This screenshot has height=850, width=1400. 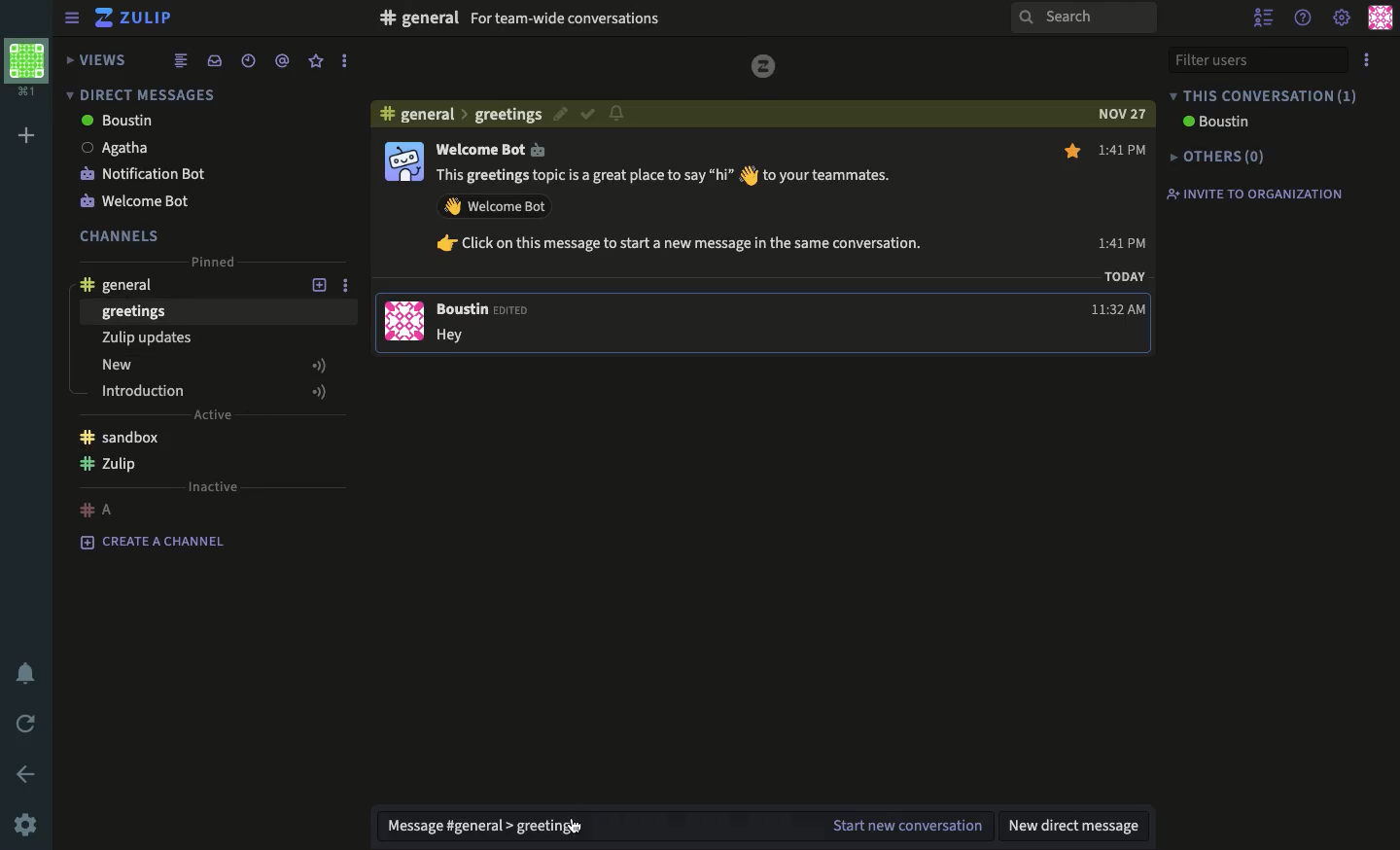 I want to click on Zulip updates, so click(x=145, y=337).